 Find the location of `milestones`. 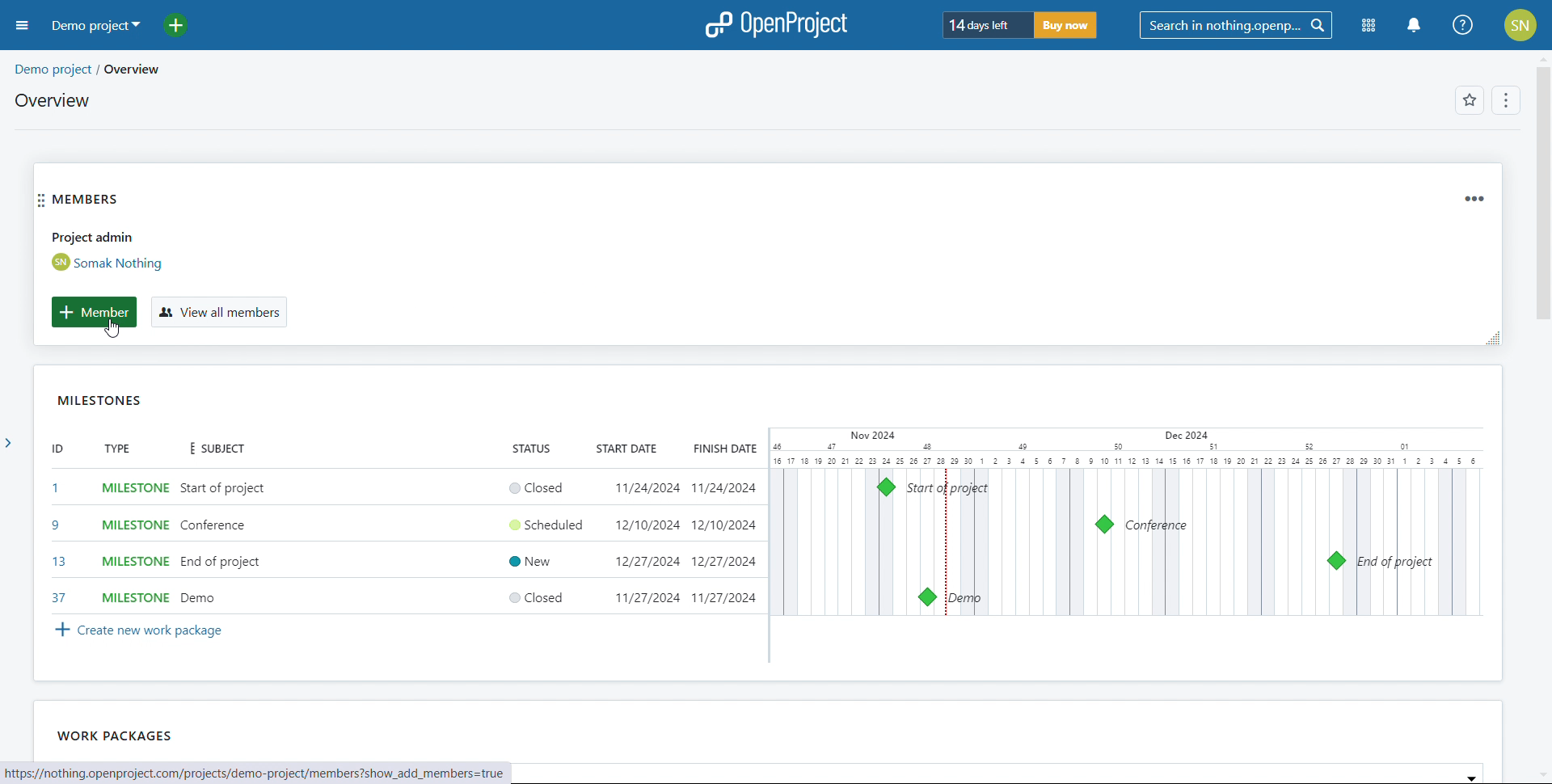

milestones is located at coordinates (99, 400).